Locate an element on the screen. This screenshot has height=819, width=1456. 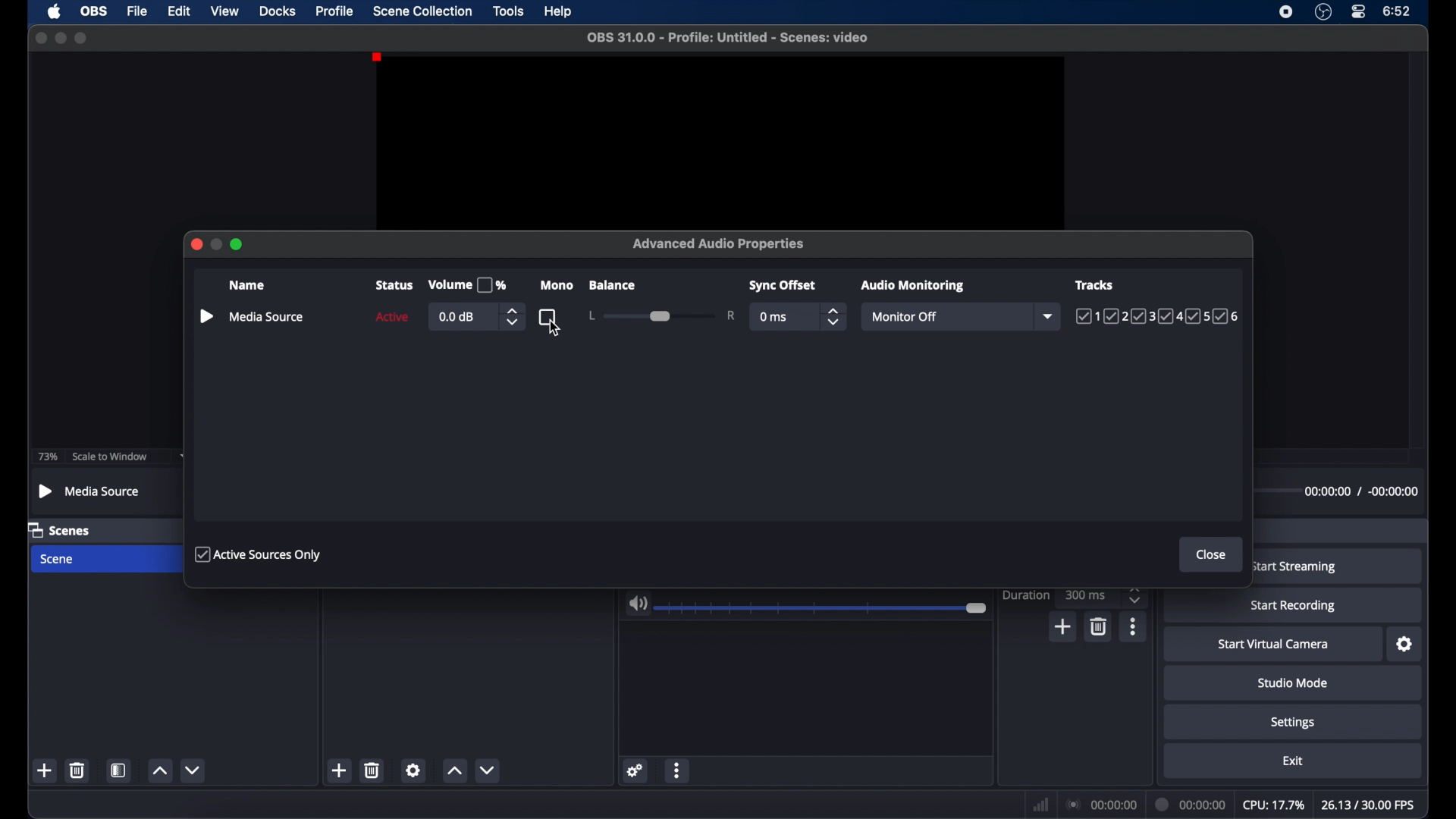
dropdown is located at coordinates (1050, 316).